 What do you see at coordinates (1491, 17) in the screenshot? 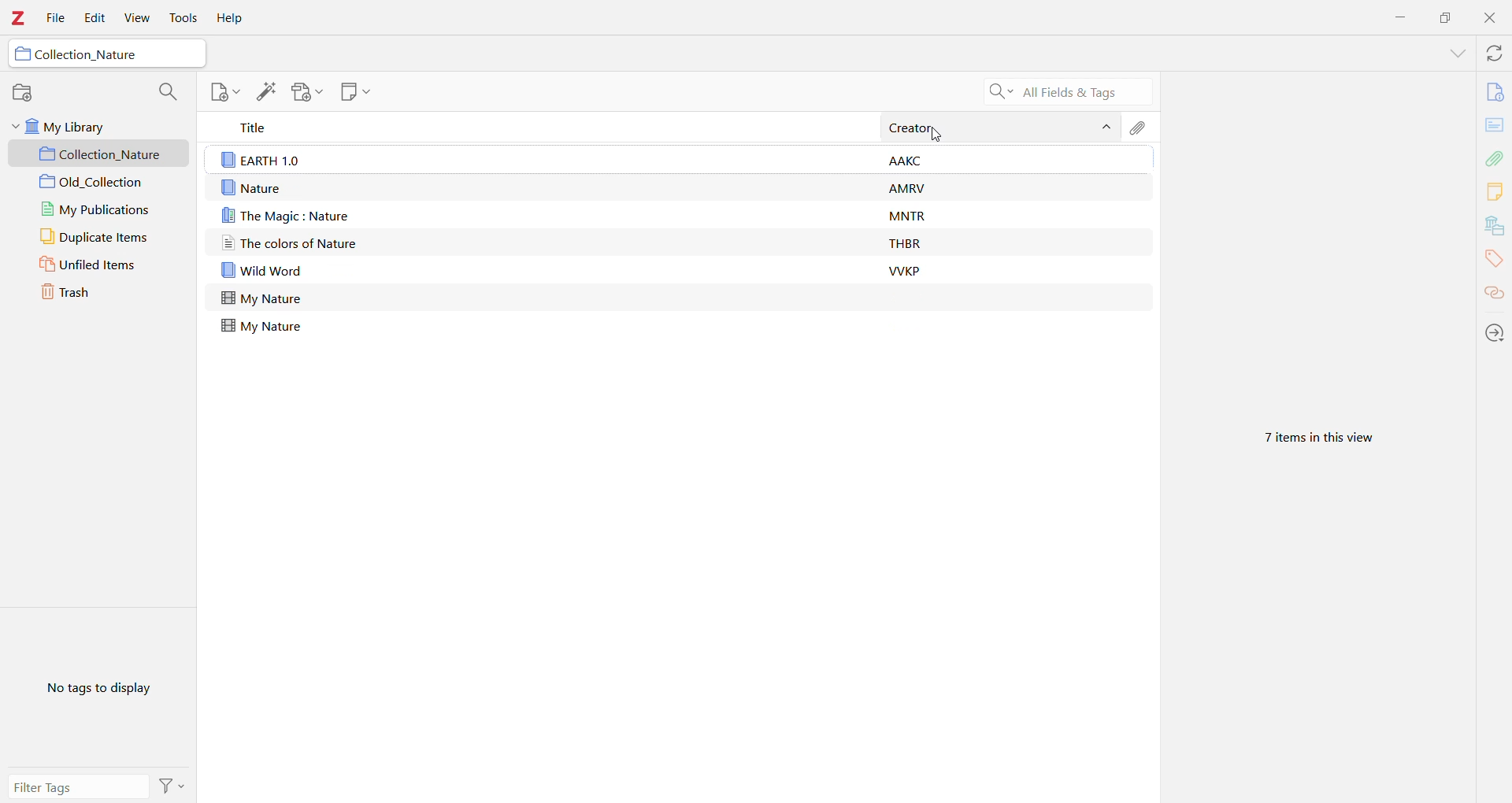
I see `Close` at bounding box center [1491, 17].